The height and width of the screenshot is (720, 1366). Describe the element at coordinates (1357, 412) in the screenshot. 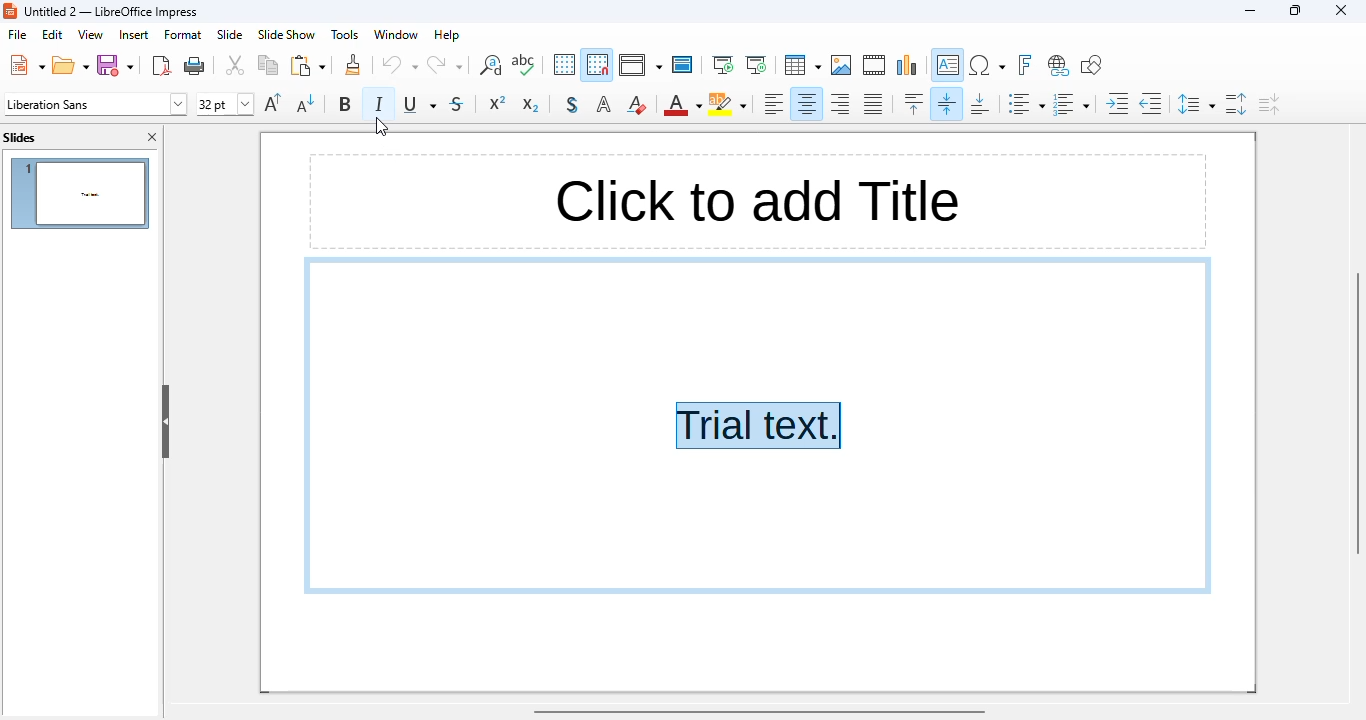

I see `vertical scroll bar` at that location.